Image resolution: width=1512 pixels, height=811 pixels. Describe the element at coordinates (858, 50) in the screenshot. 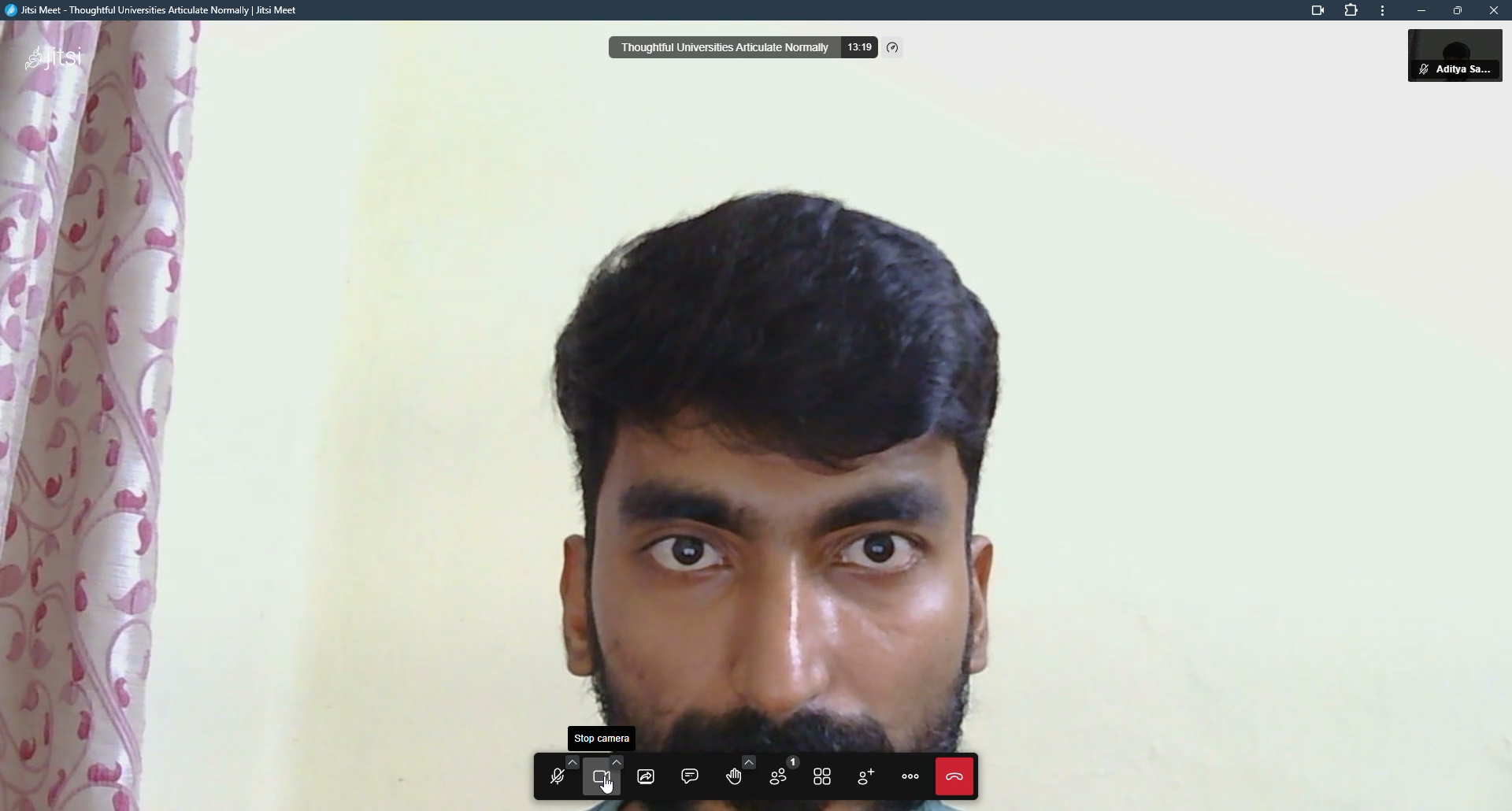

I see `13:17` at that location.